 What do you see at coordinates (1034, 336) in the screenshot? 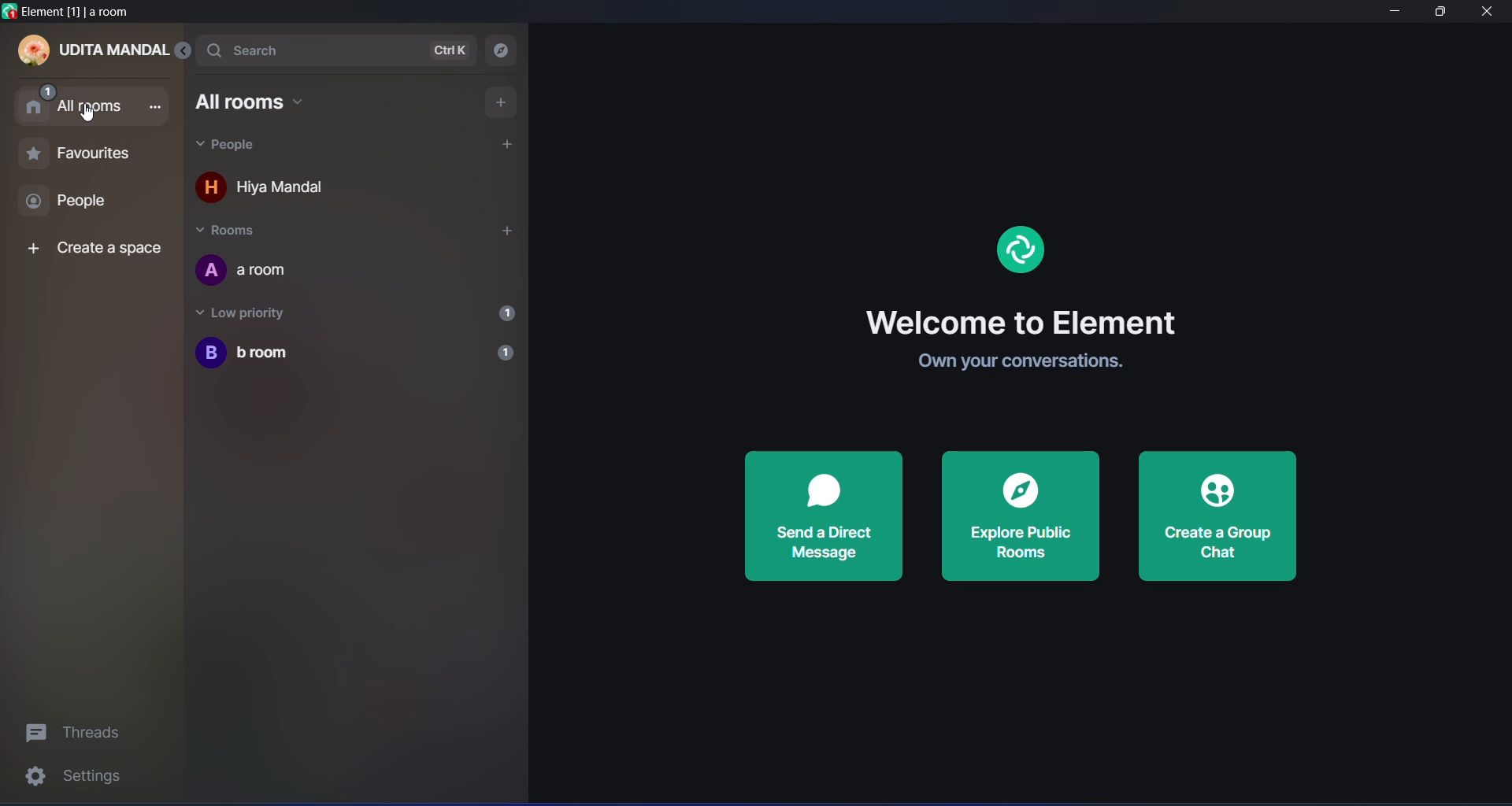
I see `Welcome to Element Own your conversations.` at bounding box center [1034, 336].